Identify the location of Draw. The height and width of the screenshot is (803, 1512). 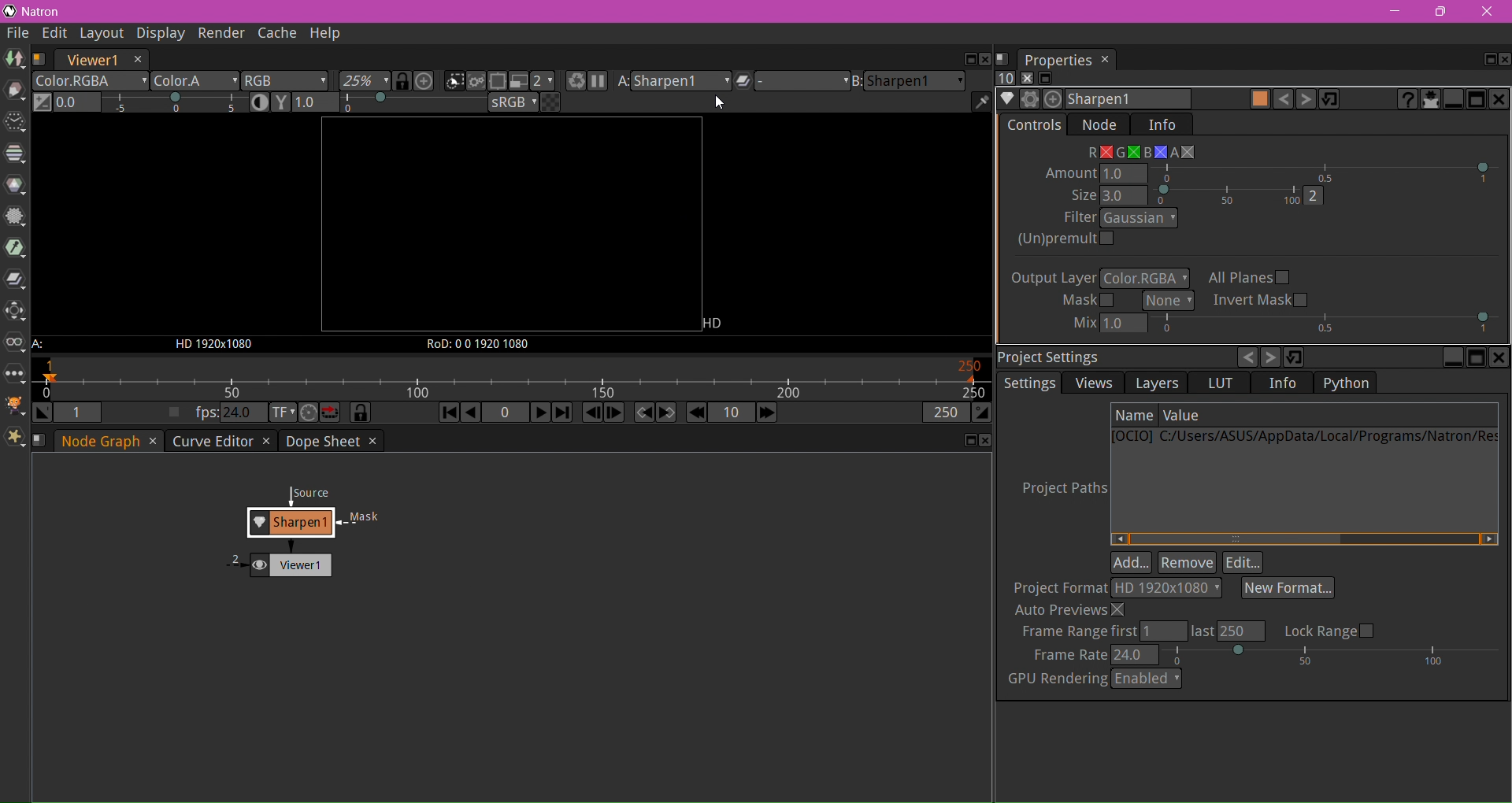
(15, 91).